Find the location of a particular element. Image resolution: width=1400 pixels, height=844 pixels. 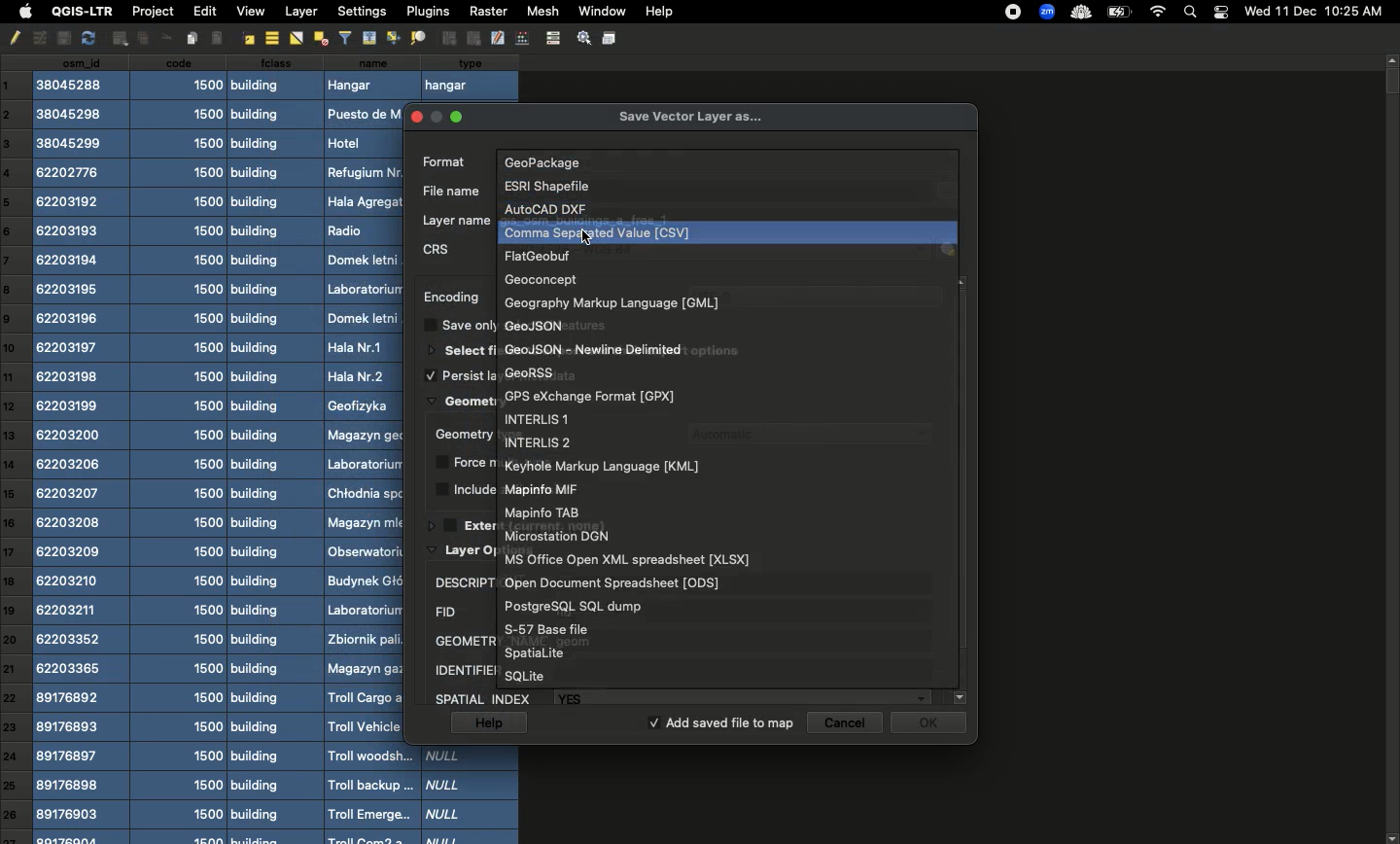

Align Bottom is located at coordinates (394, 38).